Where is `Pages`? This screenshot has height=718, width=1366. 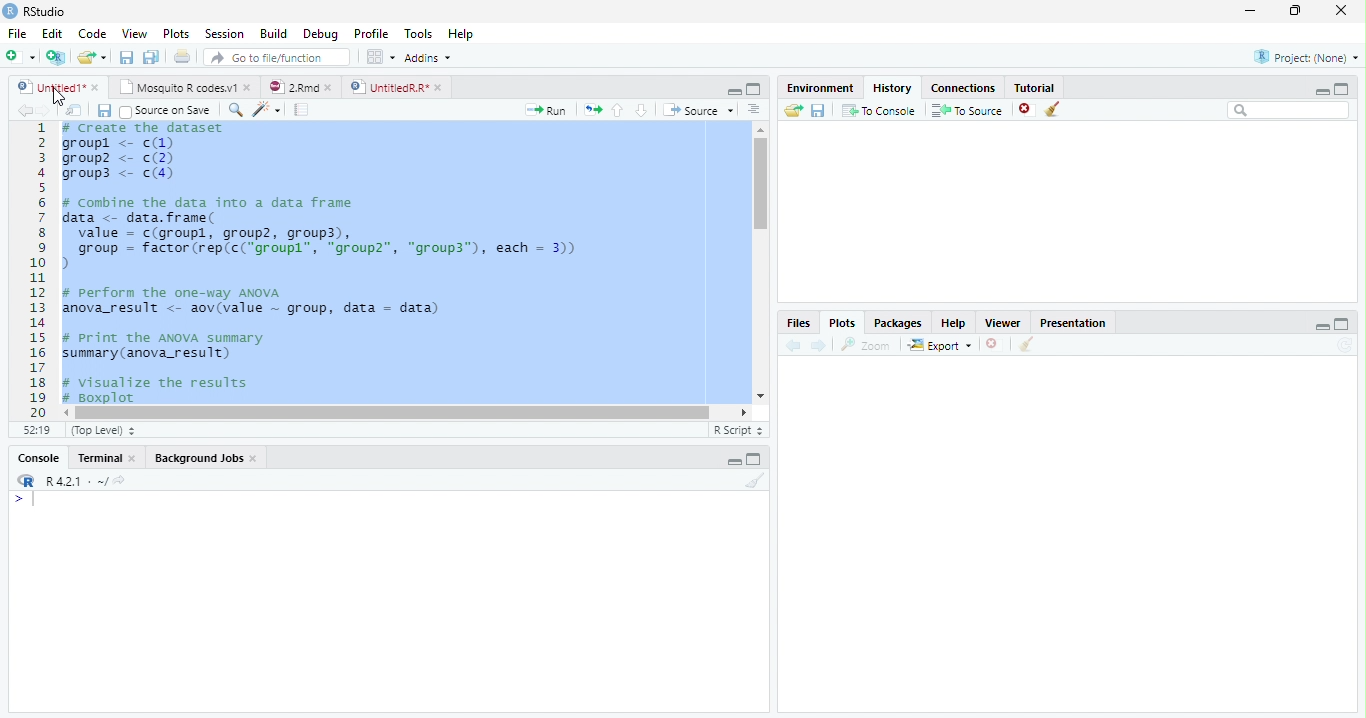
Pages is located at coordinates (301, 111).